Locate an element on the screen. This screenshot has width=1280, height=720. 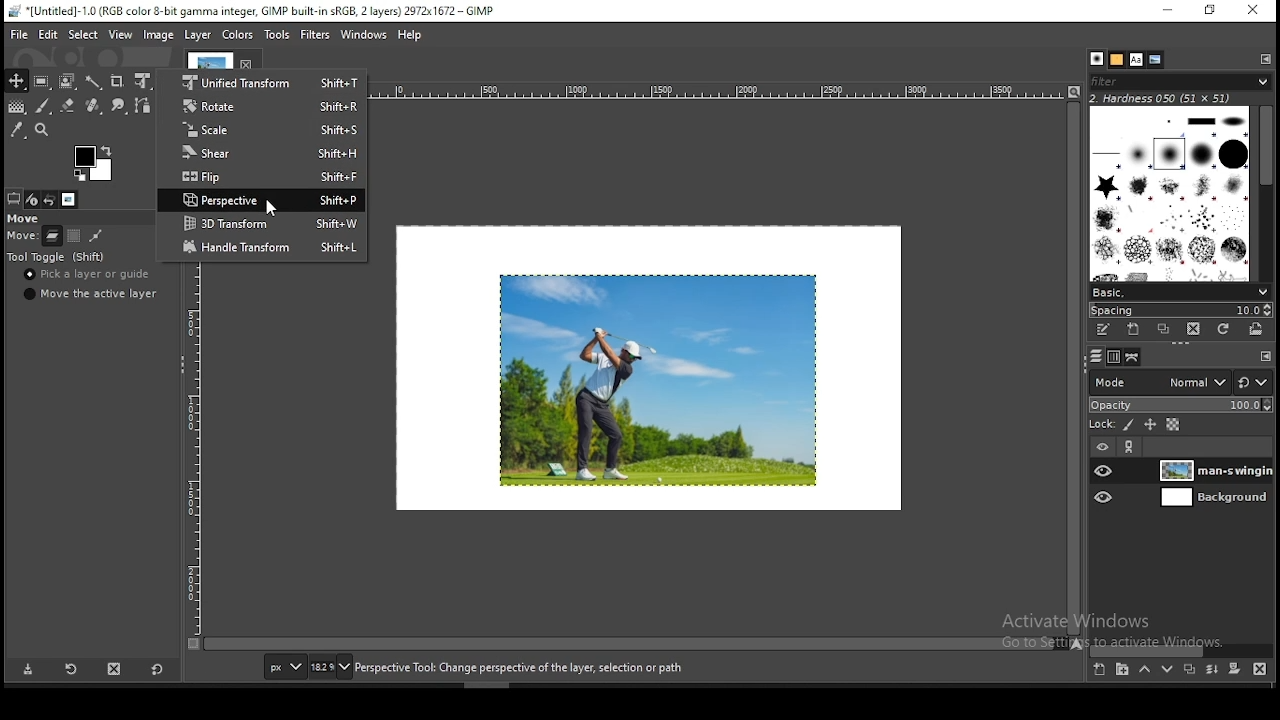
move layer on step up is located at coordinates (1142, 669).